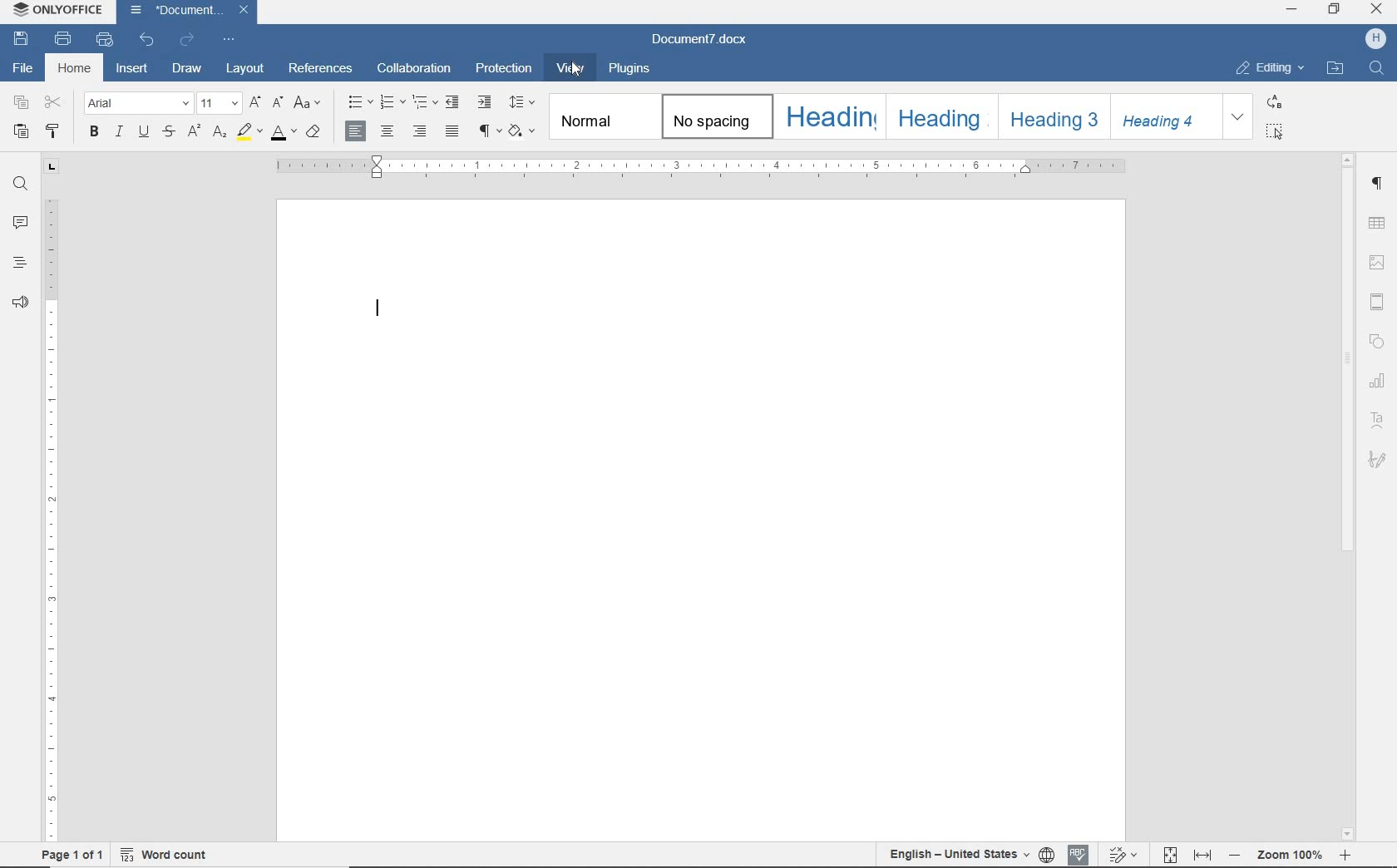 The image size is (1397, 868). I want to click on PLUGINS, so click(635, 71).